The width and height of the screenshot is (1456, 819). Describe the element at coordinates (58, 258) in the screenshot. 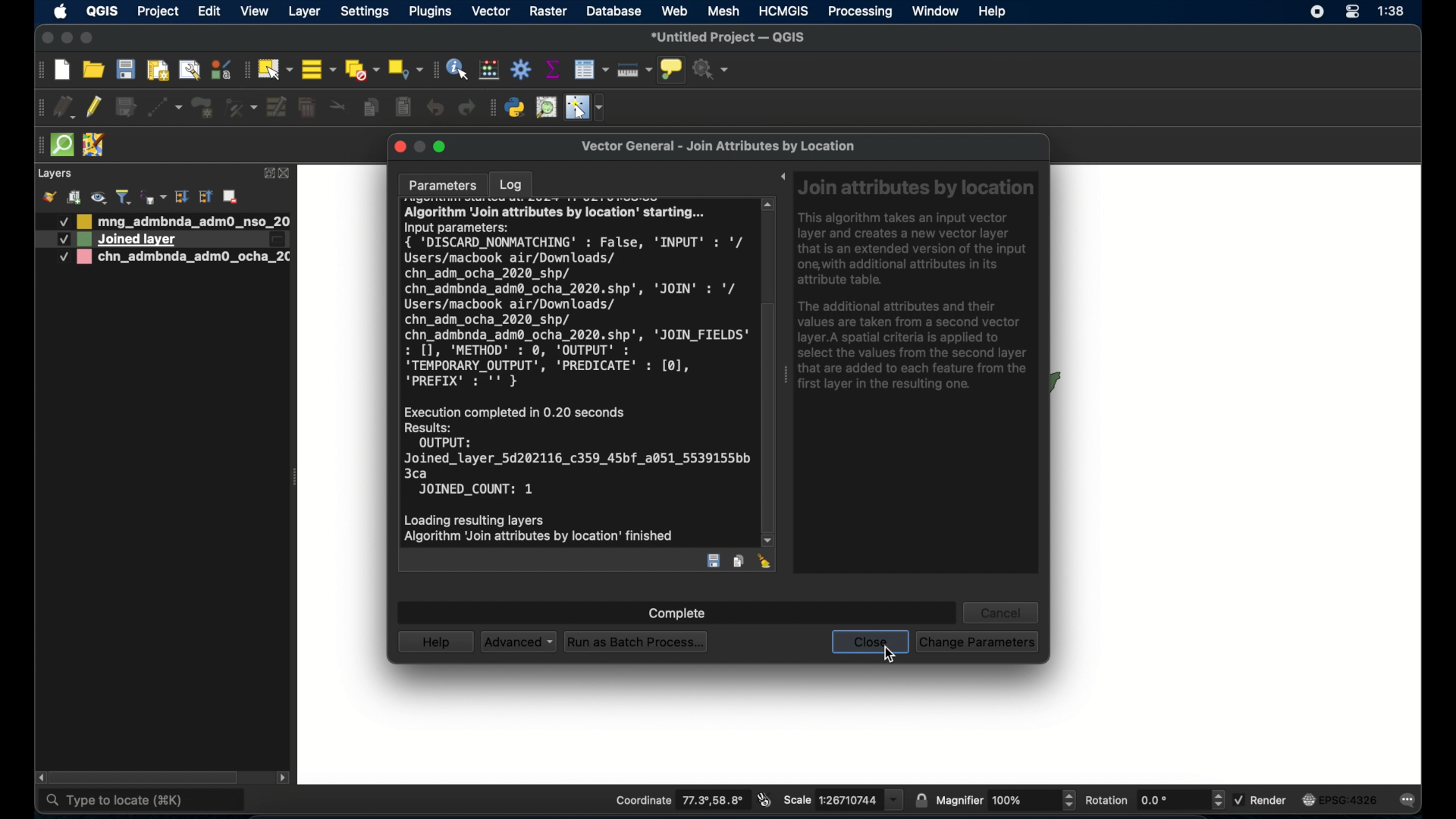

I see `Checkbox` at that location.